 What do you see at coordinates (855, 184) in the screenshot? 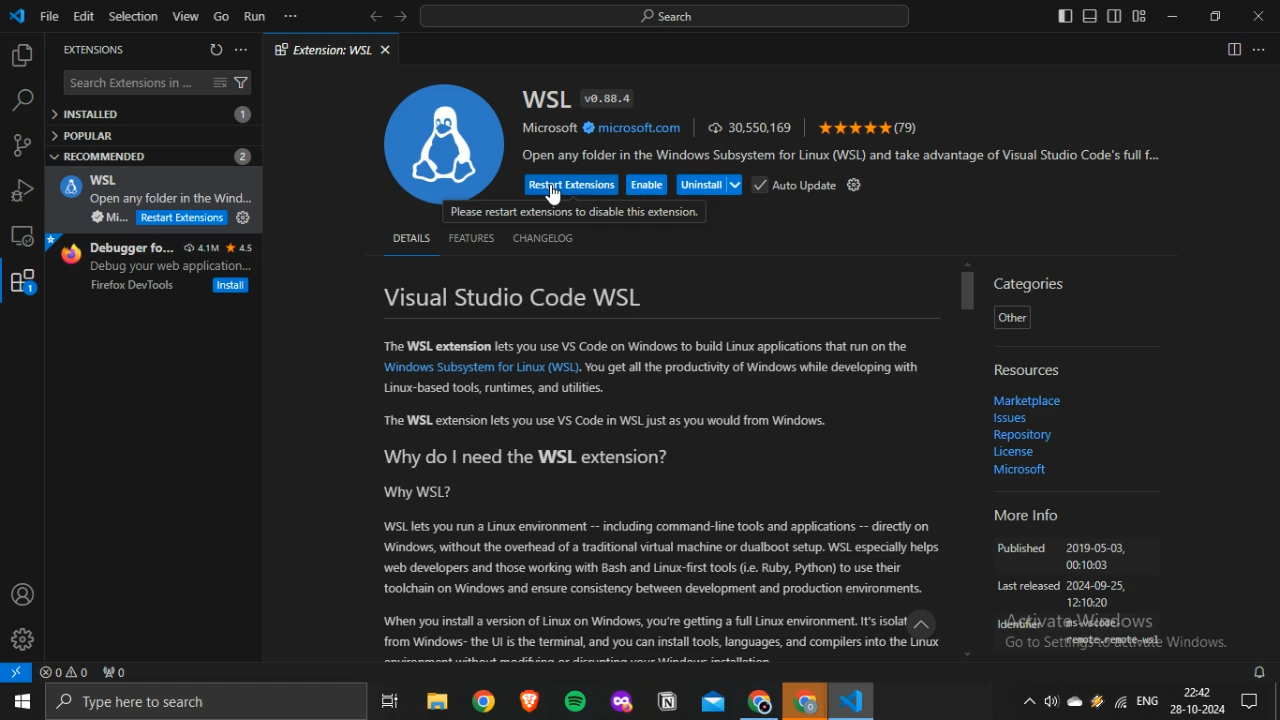
I see `settings` at bounding box center [855, 184].